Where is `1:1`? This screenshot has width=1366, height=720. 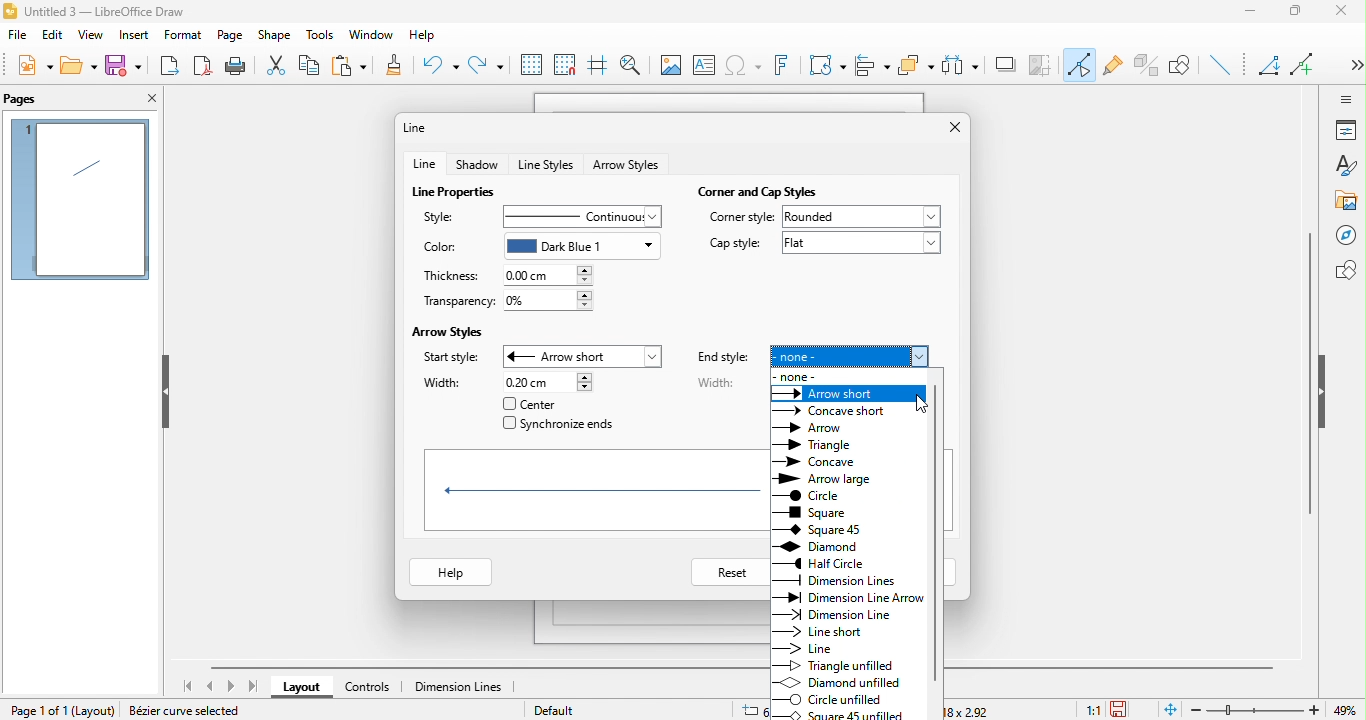 1:1 is located at coordinates (1092, 710).